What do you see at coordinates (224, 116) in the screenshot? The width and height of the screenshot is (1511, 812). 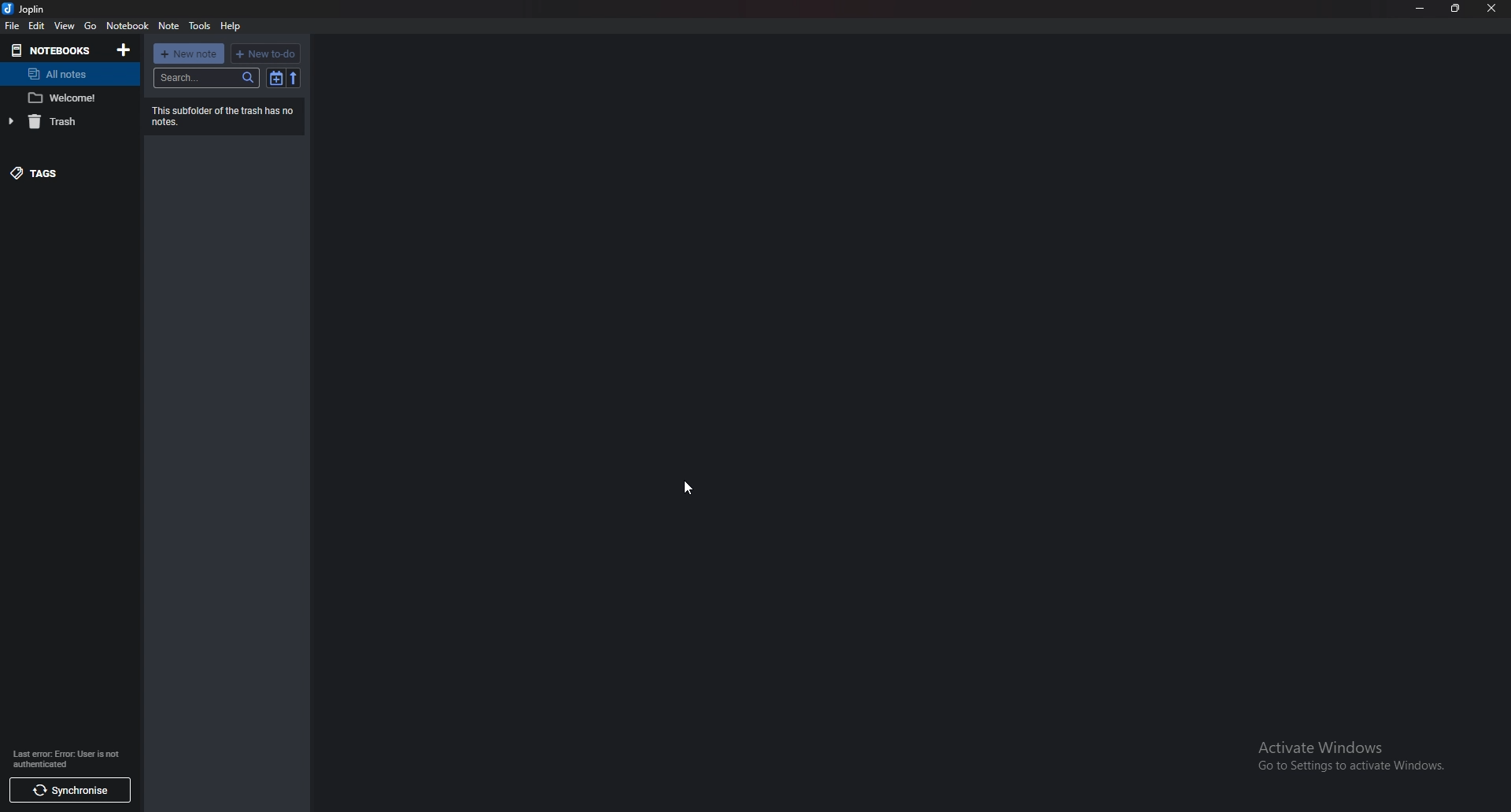 I see `info` at bounding box center [224, 116].